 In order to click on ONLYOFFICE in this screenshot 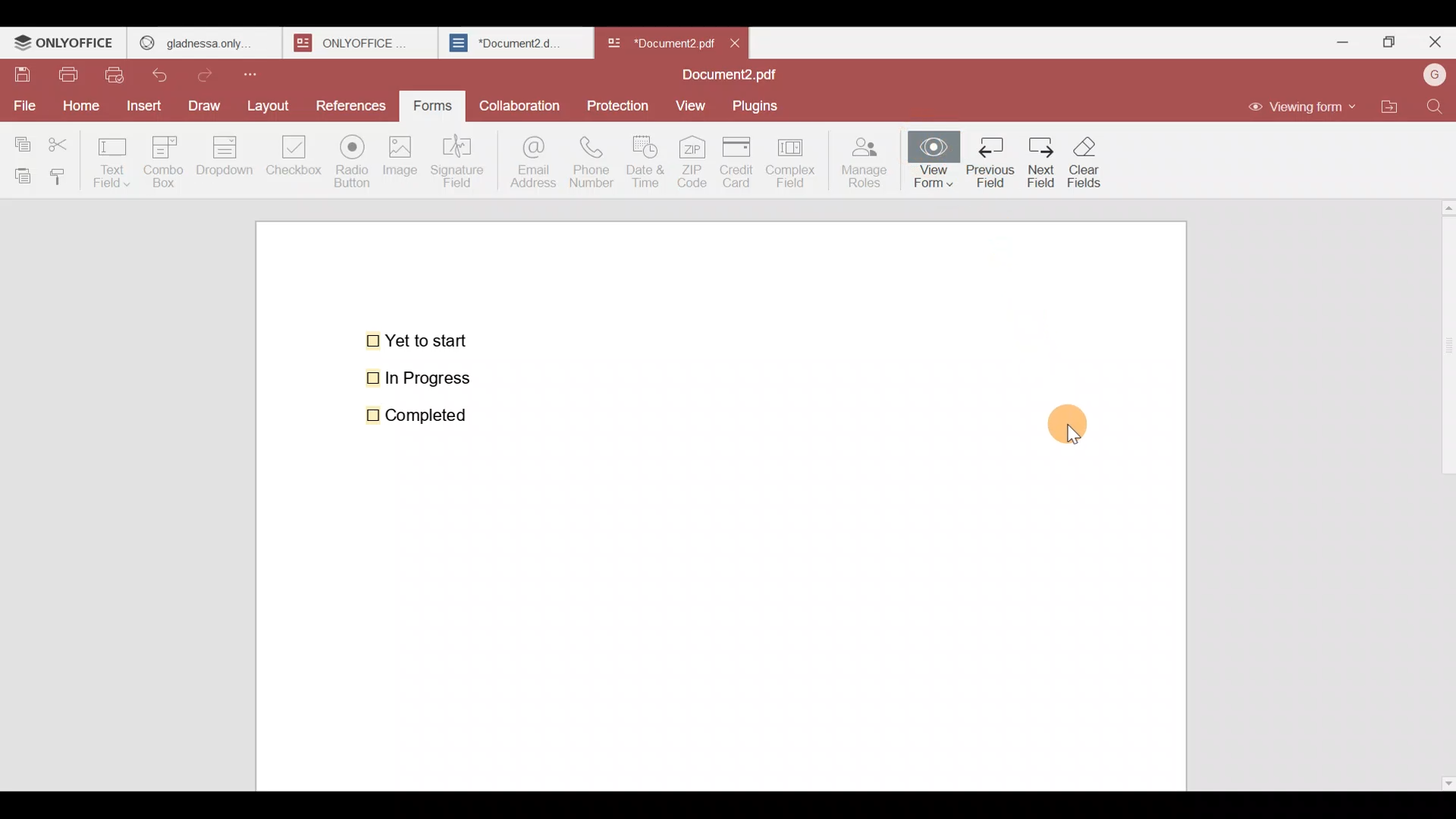, I will do `click(64, 45)`.